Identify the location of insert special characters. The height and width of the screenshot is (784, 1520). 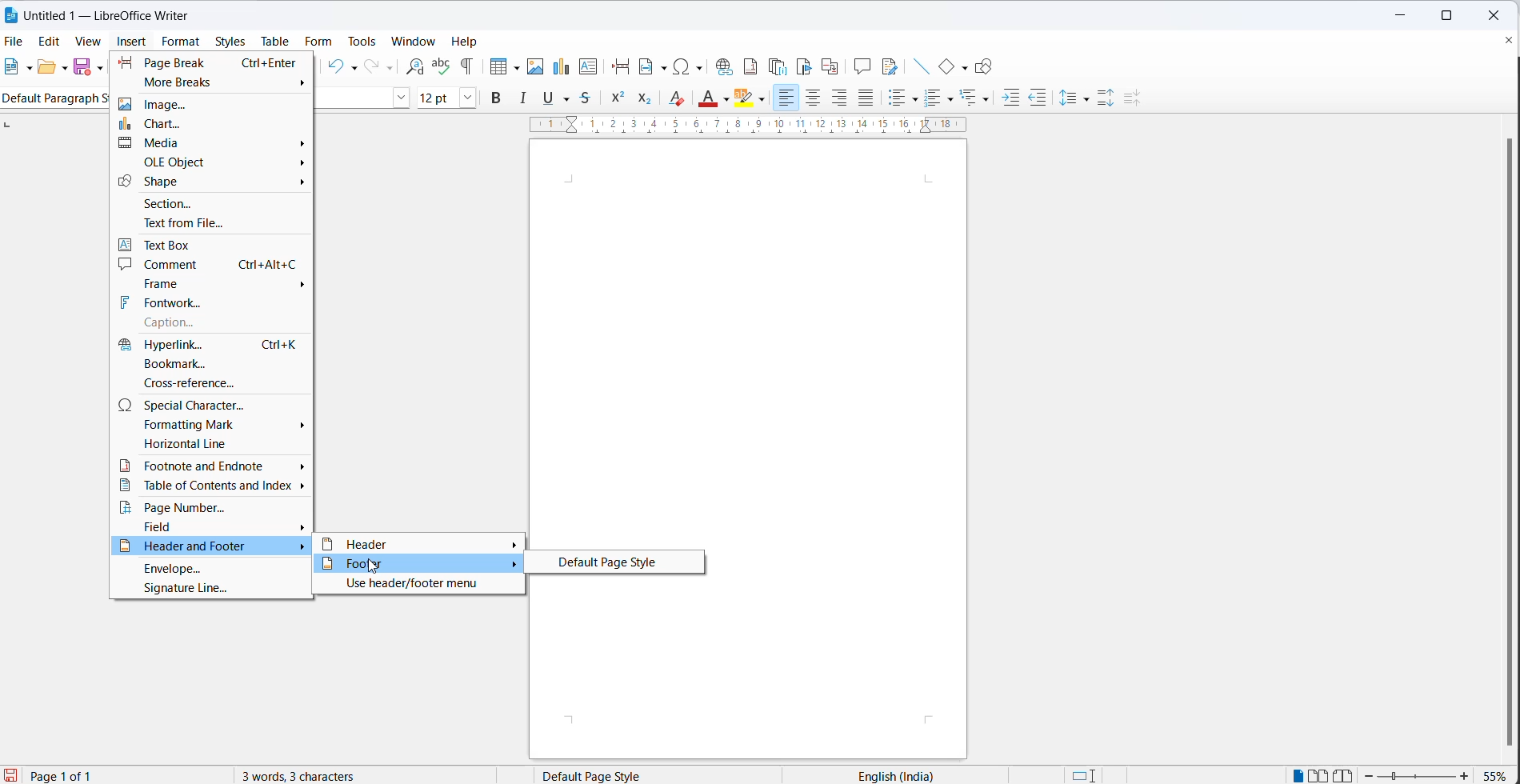
(690, 66).